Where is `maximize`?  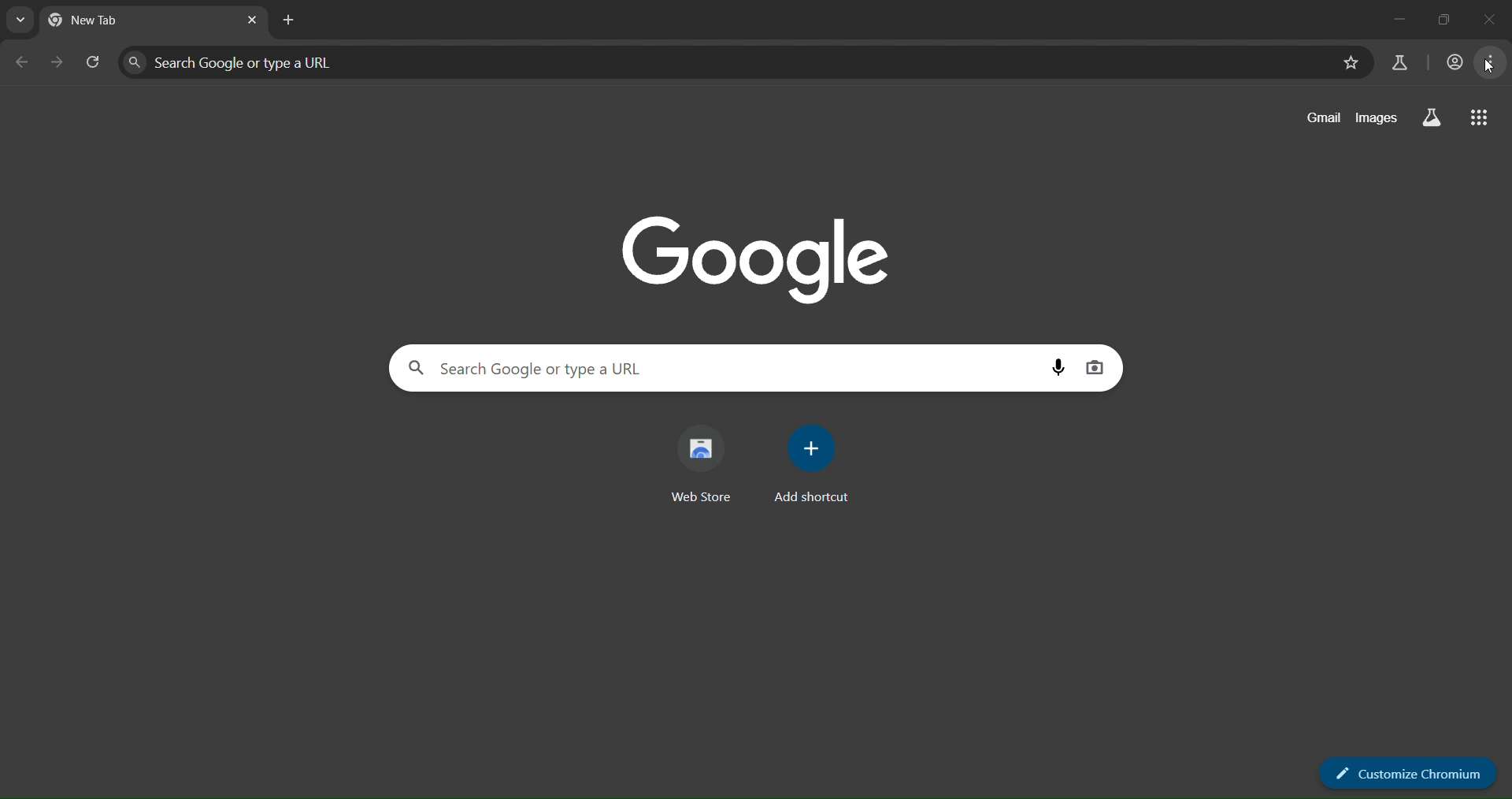 maximize is located at coordinates (1439, 19).